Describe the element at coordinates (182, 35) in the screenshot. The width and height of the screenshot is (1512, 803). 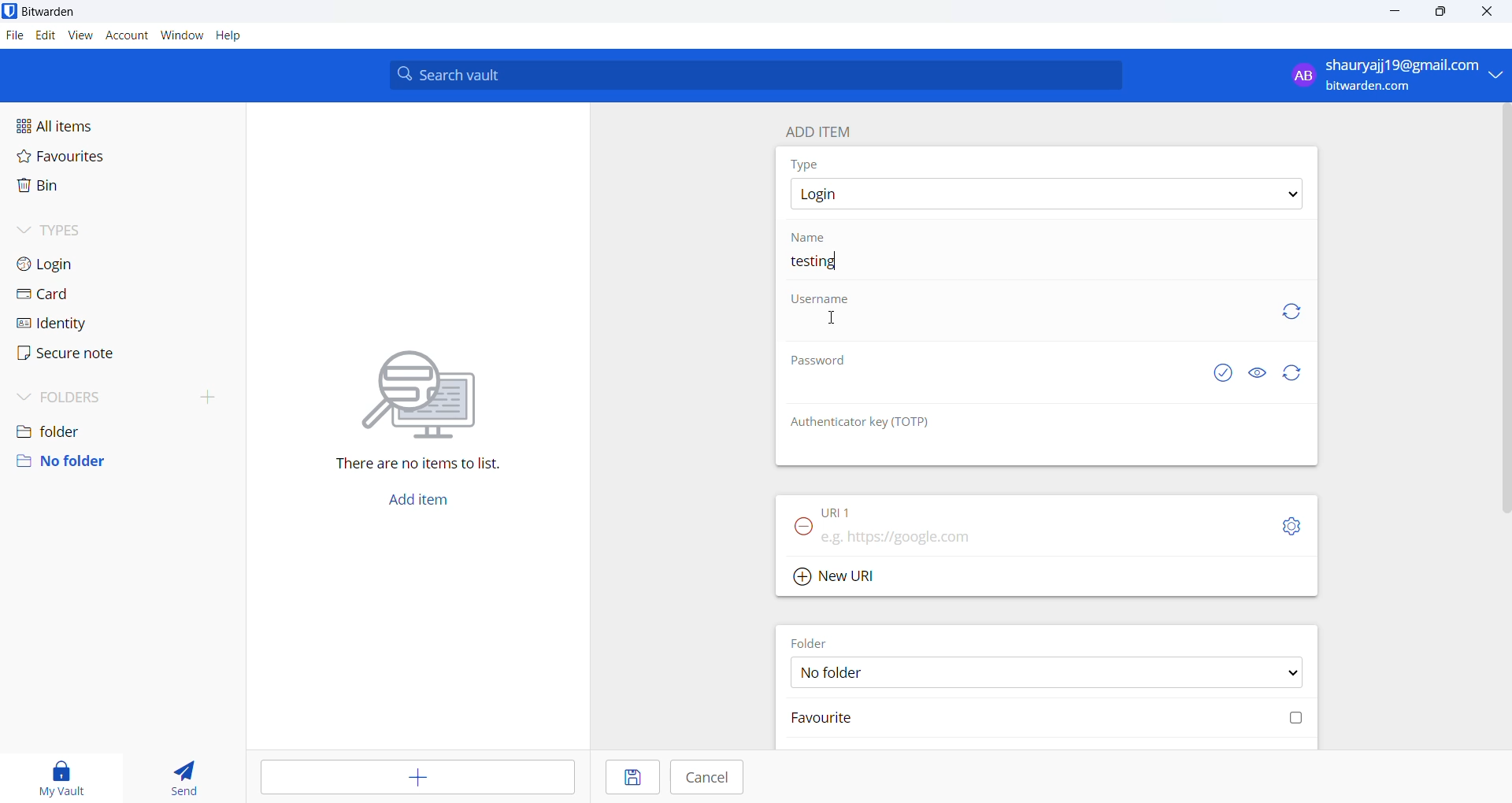
I see `window` at that location.